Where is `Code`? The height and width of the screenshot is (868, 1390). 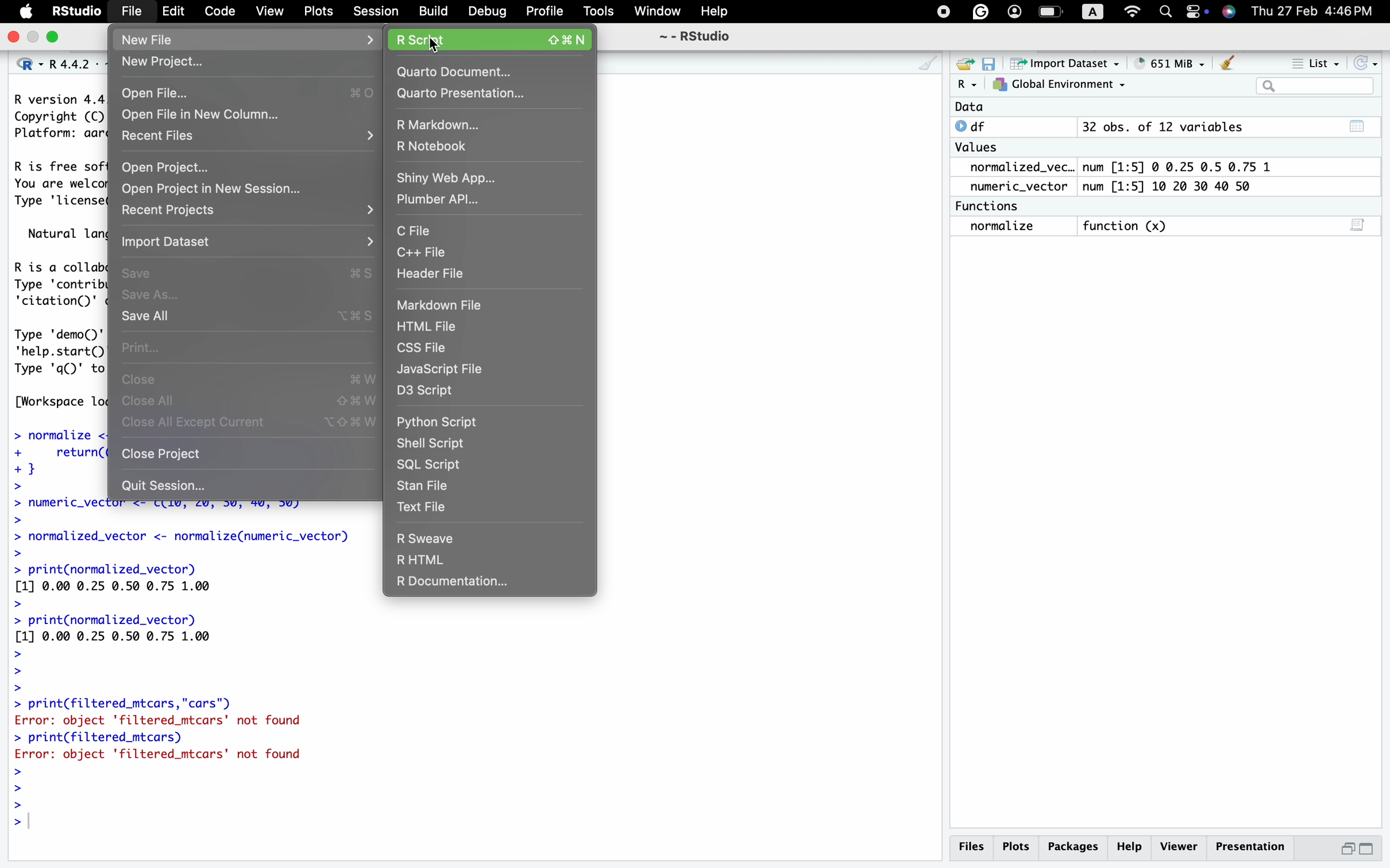
Code is located at coordinates (213, 10).